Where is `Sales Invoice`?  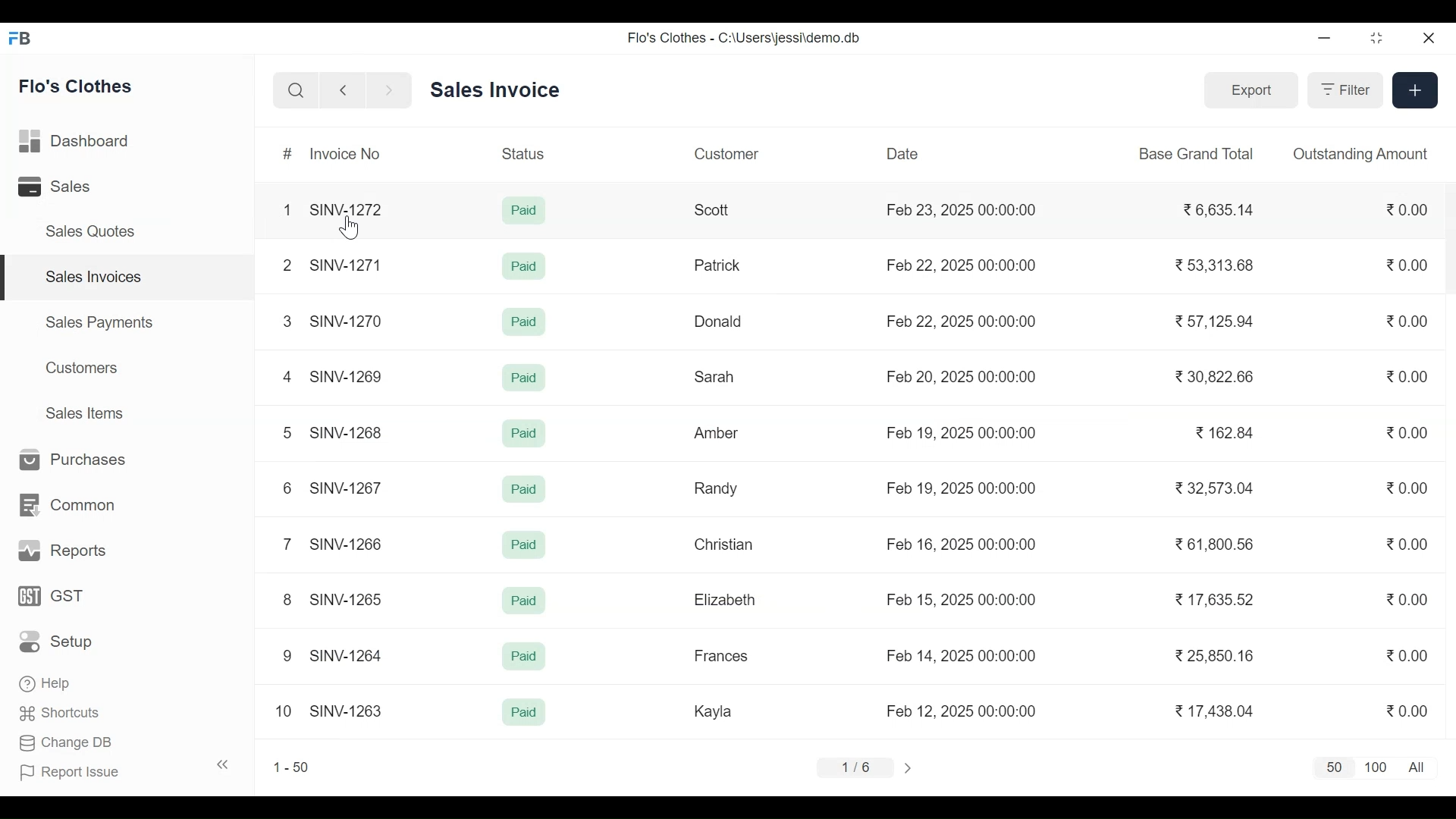
Sales Invoice is located at coordinates (496, 89).